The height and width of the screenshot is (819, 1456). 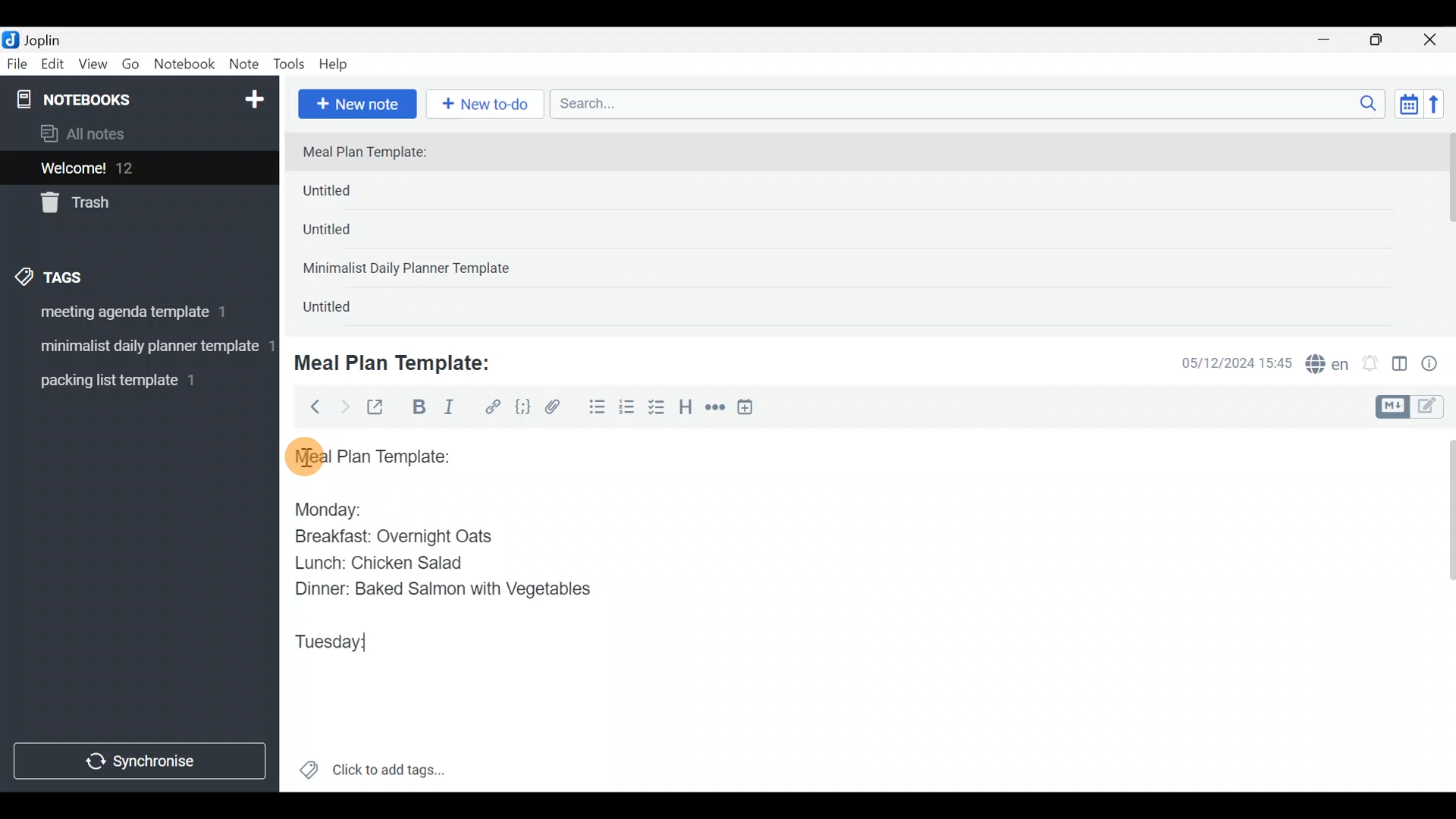 What do you see at coordinates (1440, 610) in the screenshot?
I see `Scroll bar` at bounding box center [1440, 610].